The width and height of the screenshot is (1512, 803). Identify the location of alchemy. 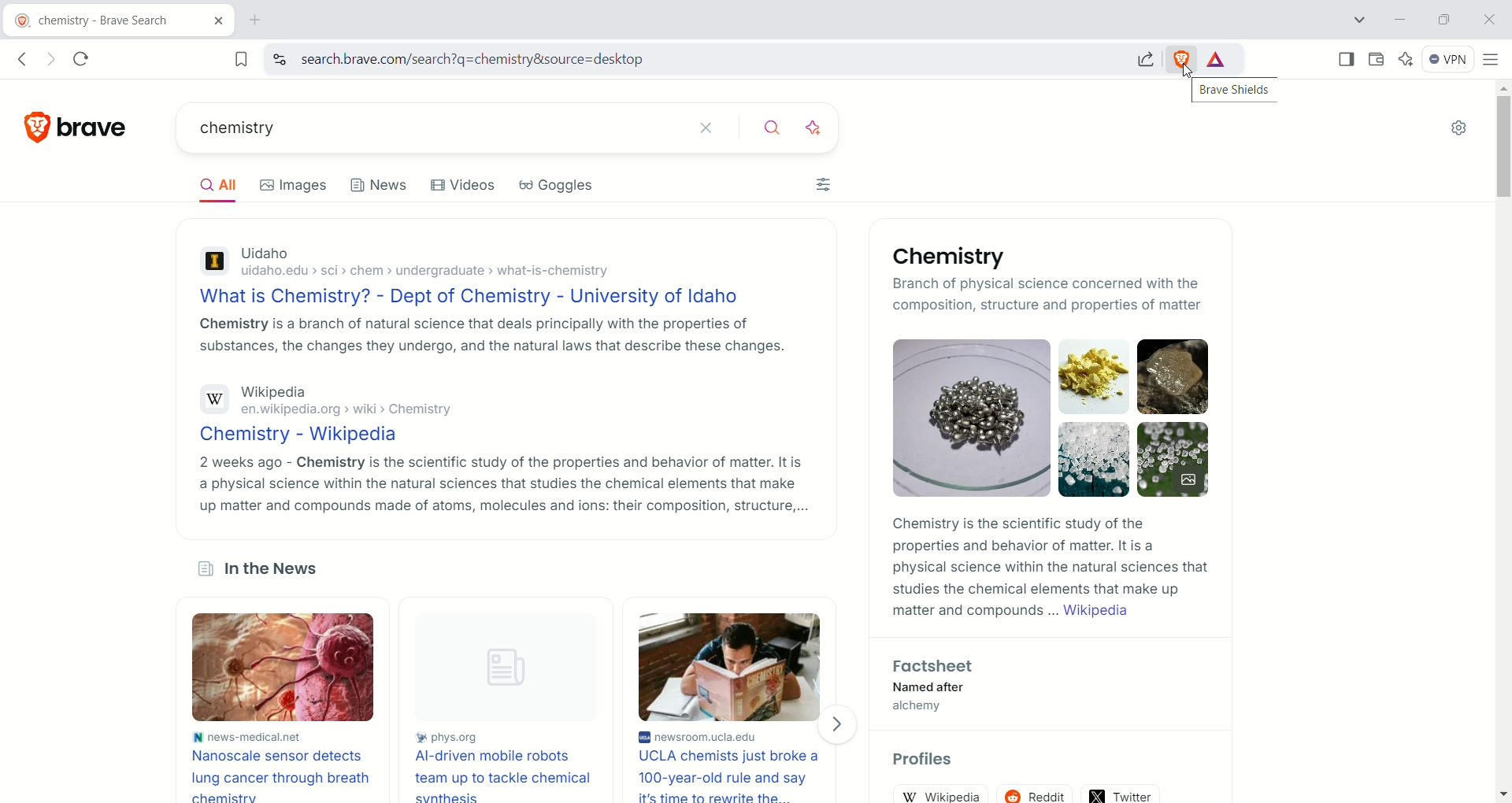
(920, 708).